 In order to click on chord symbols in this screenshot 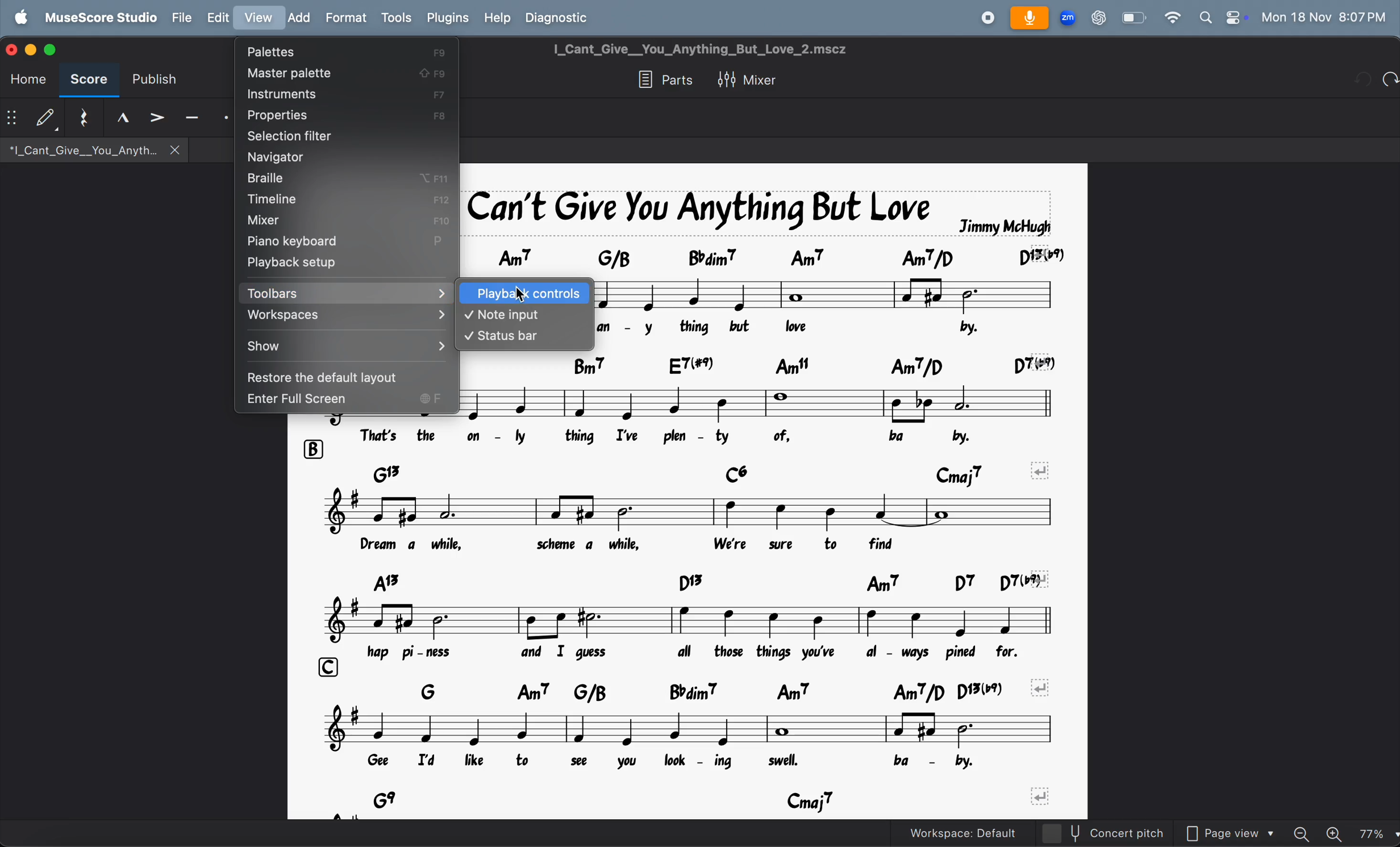, I will do `click(707, 798)`.